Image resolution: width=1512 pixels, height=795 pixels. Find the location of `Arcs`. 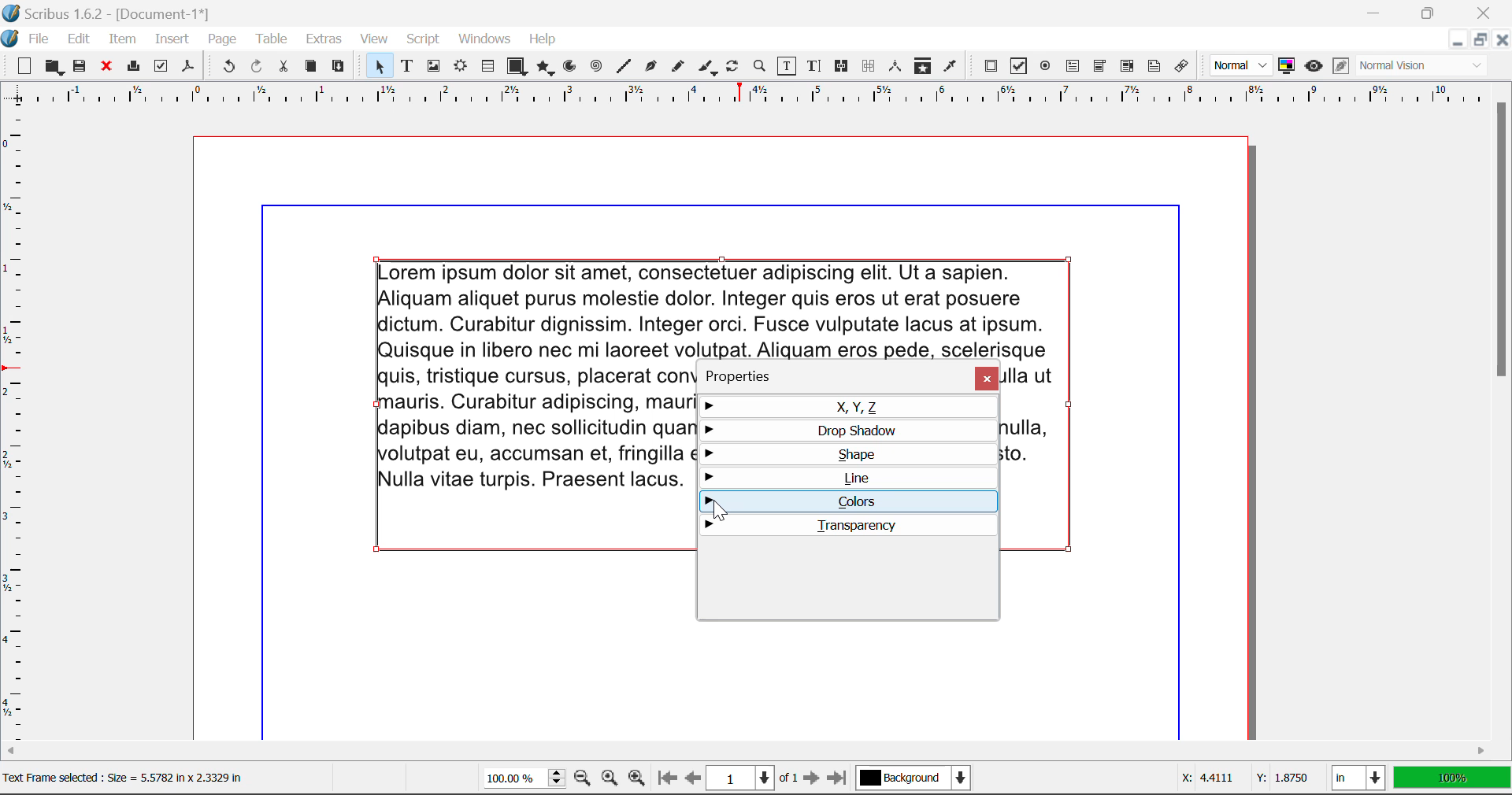

Arcs is located at coordinates (572, 70).